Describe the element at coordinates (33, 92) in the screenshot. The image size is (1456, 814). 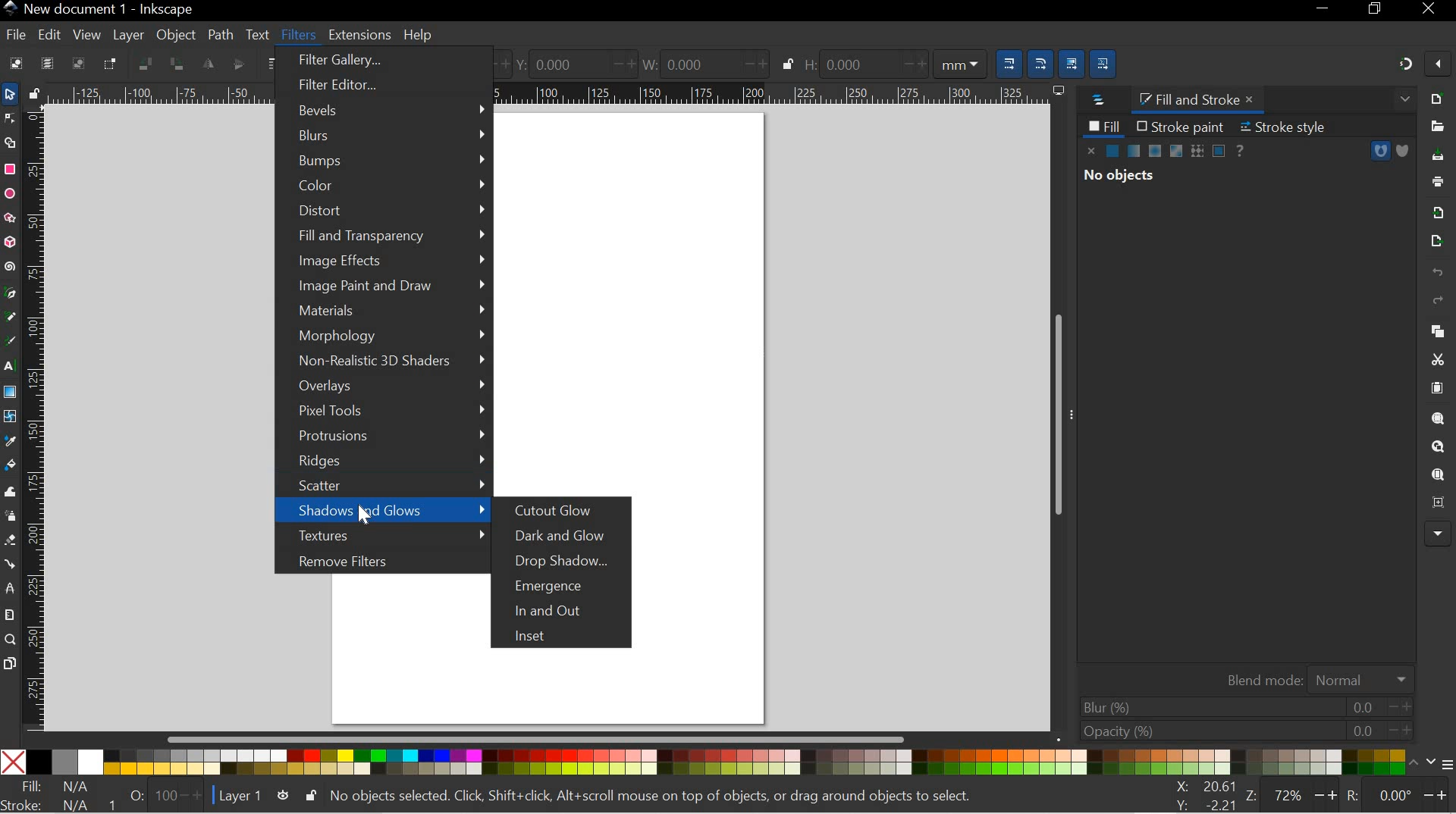
I see `TOGGLE LOCK` at that location.